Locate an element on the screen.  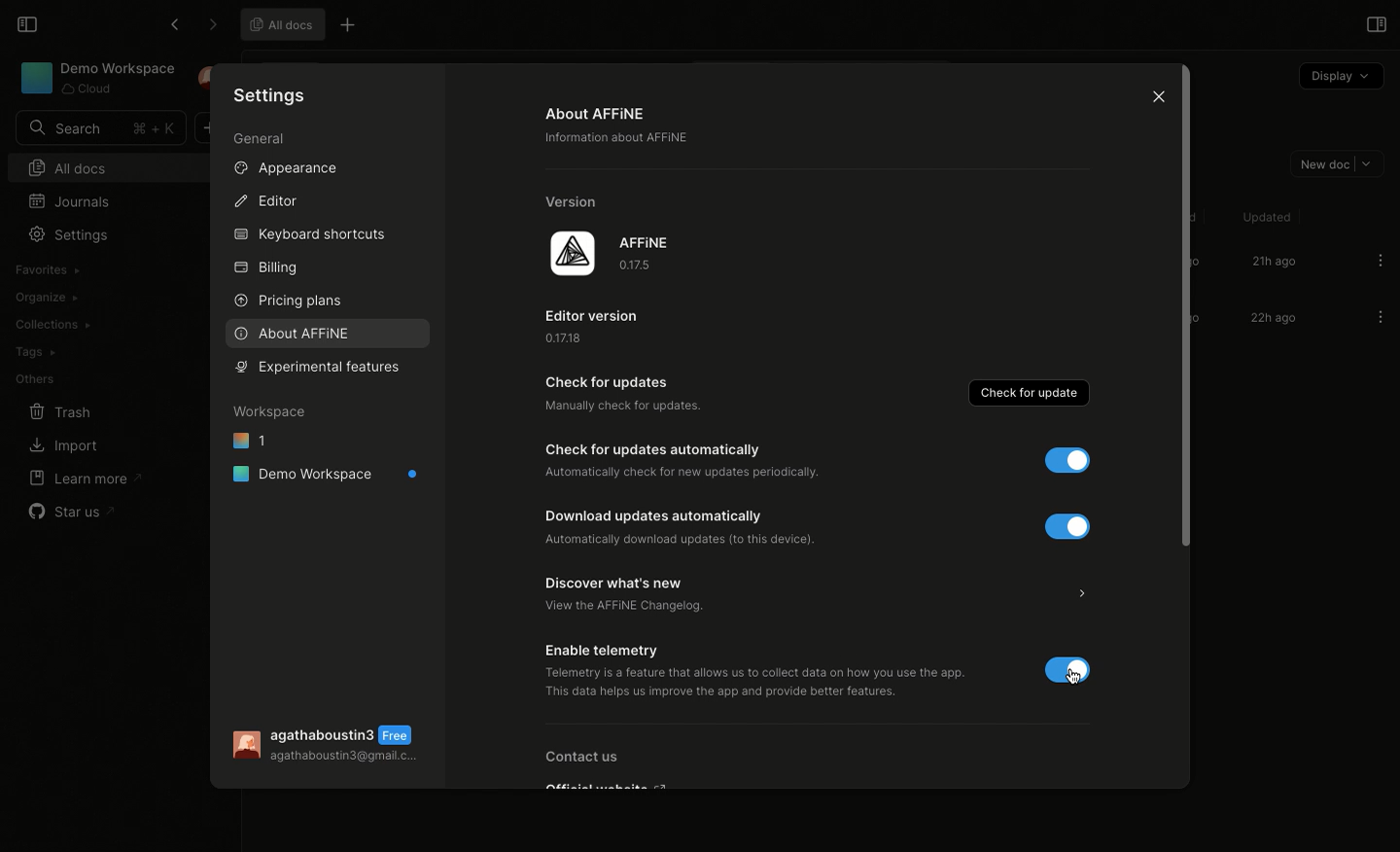
Display is located at coordinates (1340, 77).